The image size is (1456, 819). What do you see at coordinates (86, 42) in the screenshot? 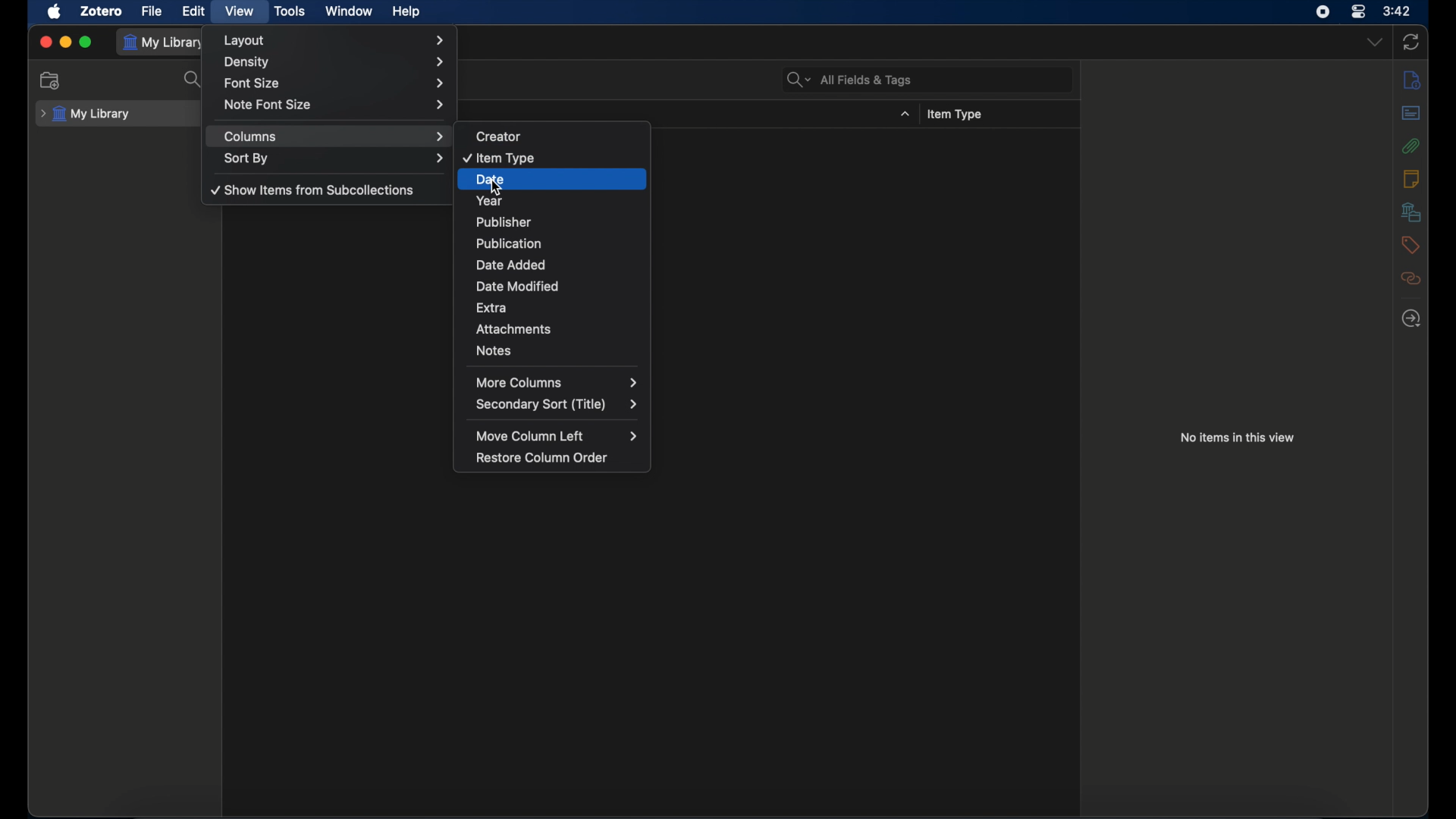
I see `maximize` at bounding box center [86, 42].